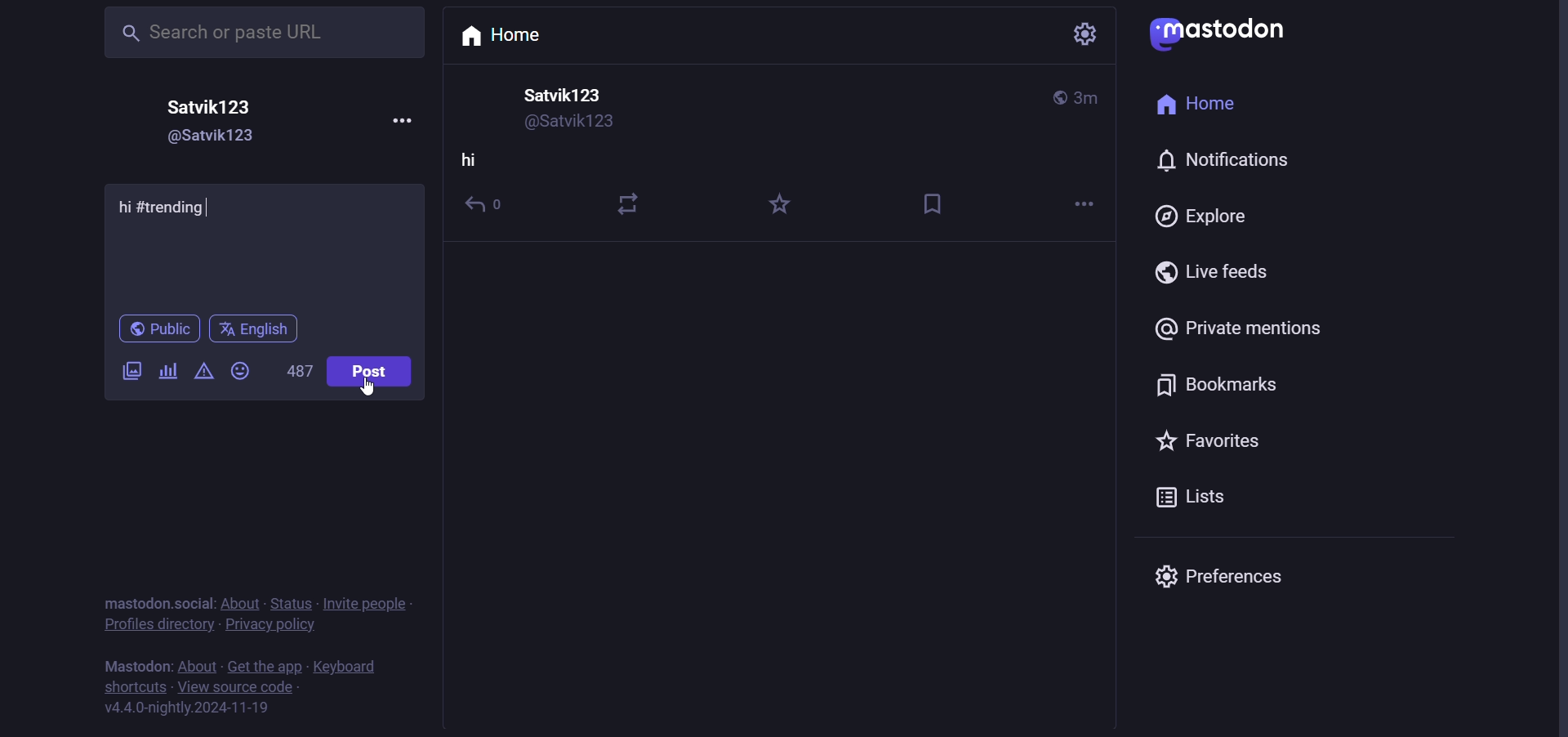 The width and height of the screenshot is (1568, 737). What do you see at coordinates (254, 331) in the screenshot?
I see `language` at bounding box center [254, 331].